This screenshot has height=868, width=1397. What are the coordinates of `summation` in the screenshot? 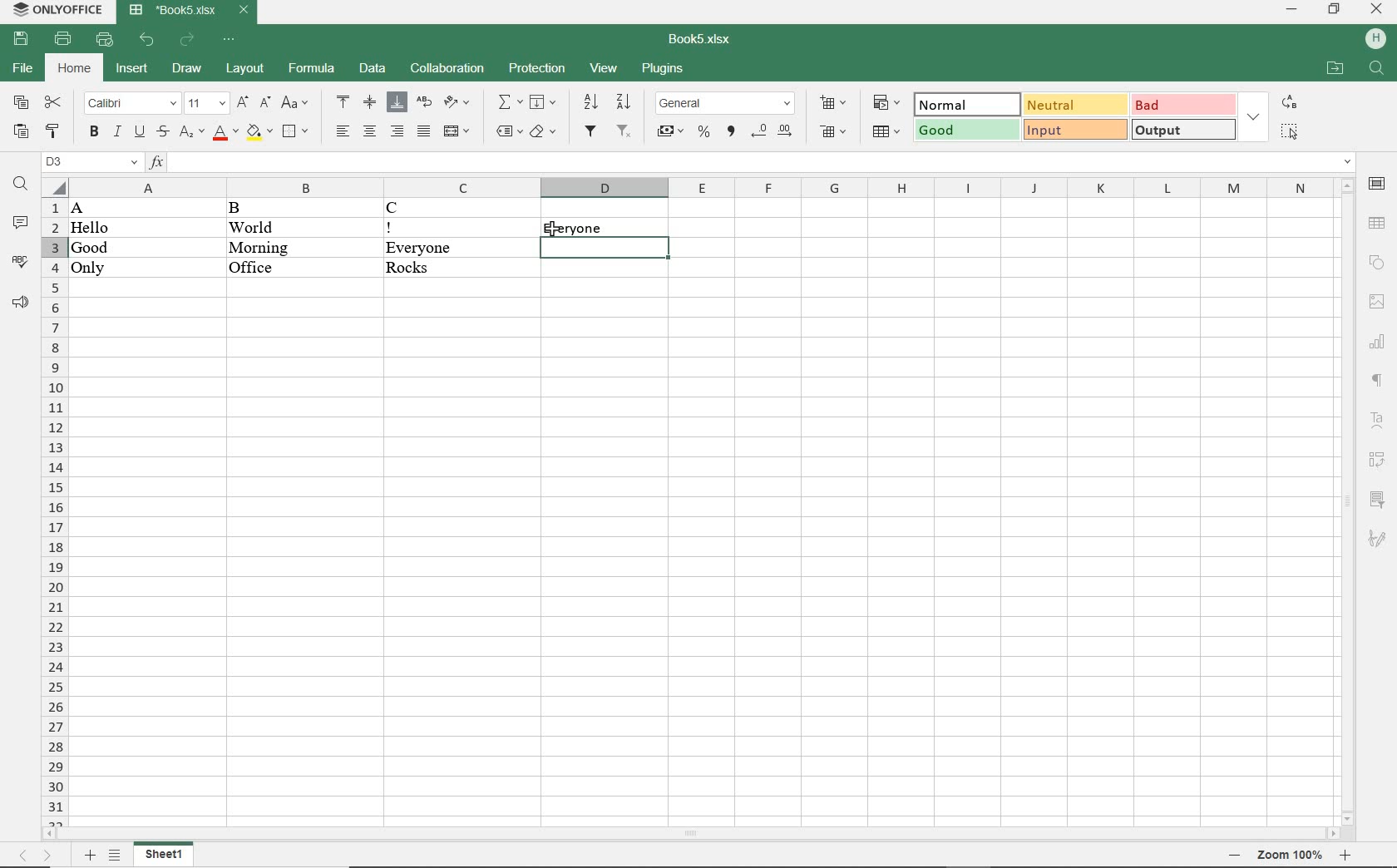 It's located at (508, 102).